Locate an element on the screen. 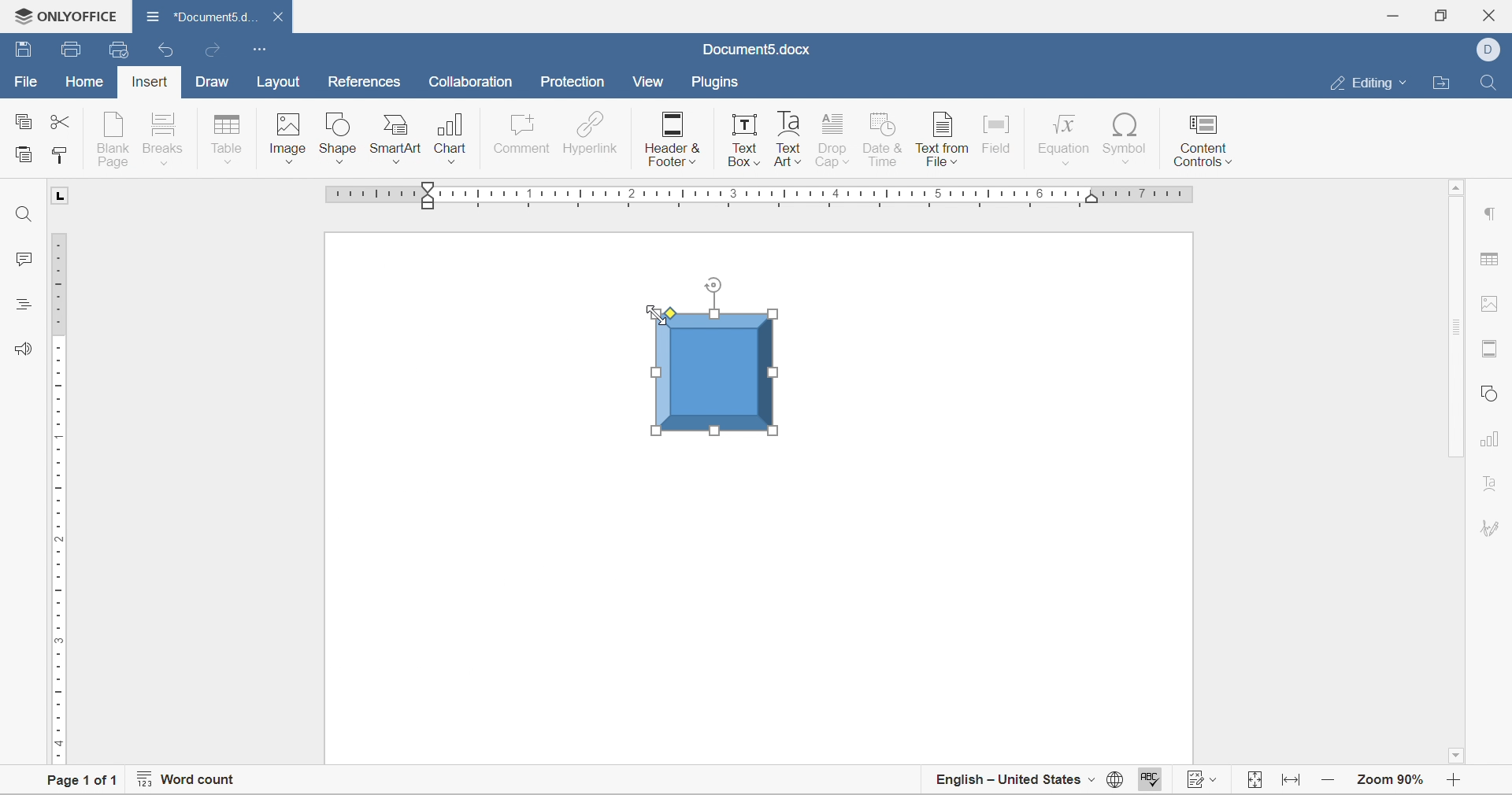 This screenshot has width=1512, height=795. editing is located at coordinates (1365, 83).